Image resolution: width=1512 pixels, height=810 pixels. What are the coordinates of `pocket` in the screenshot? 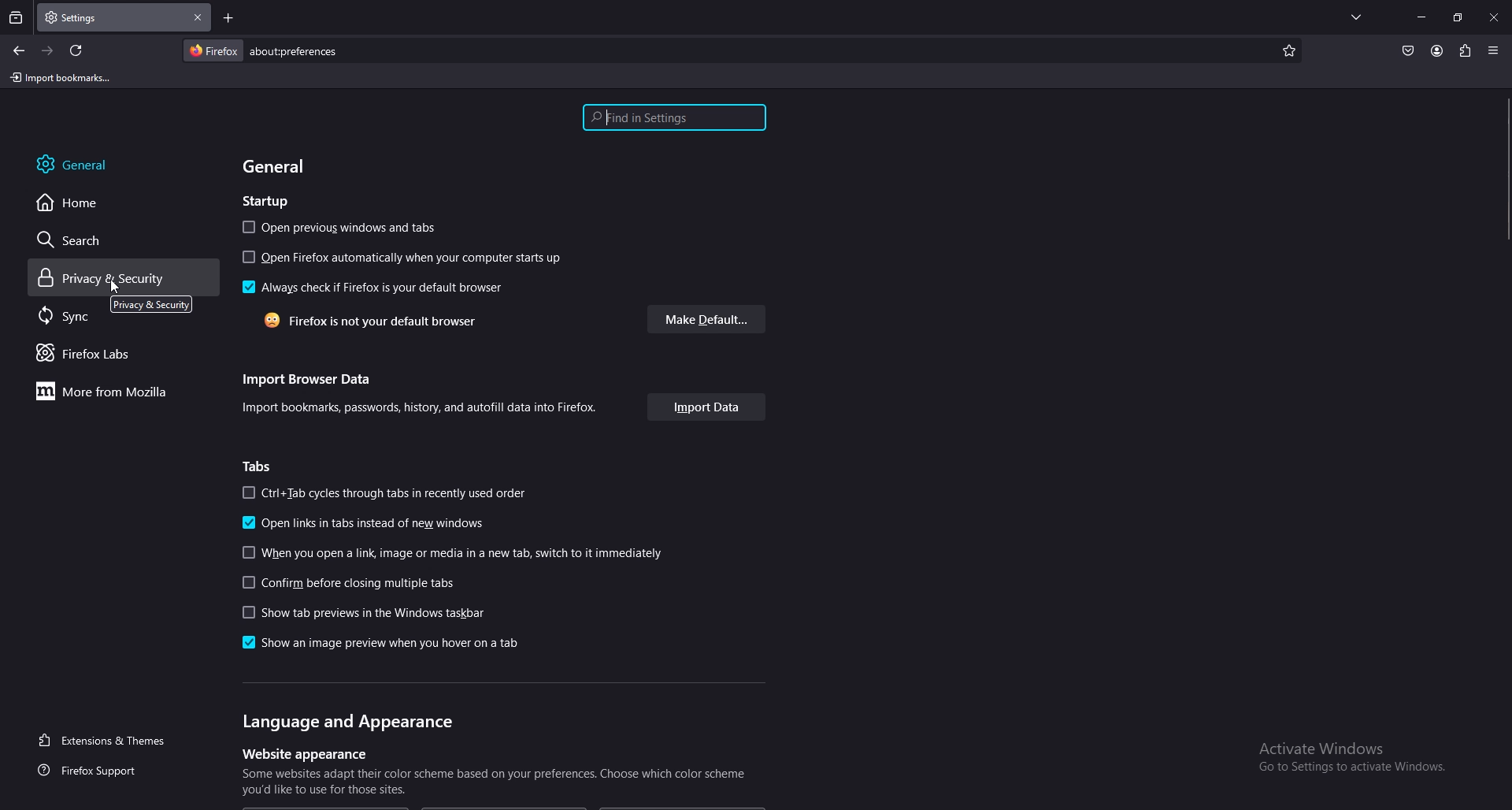 It's located at (1407, 50).